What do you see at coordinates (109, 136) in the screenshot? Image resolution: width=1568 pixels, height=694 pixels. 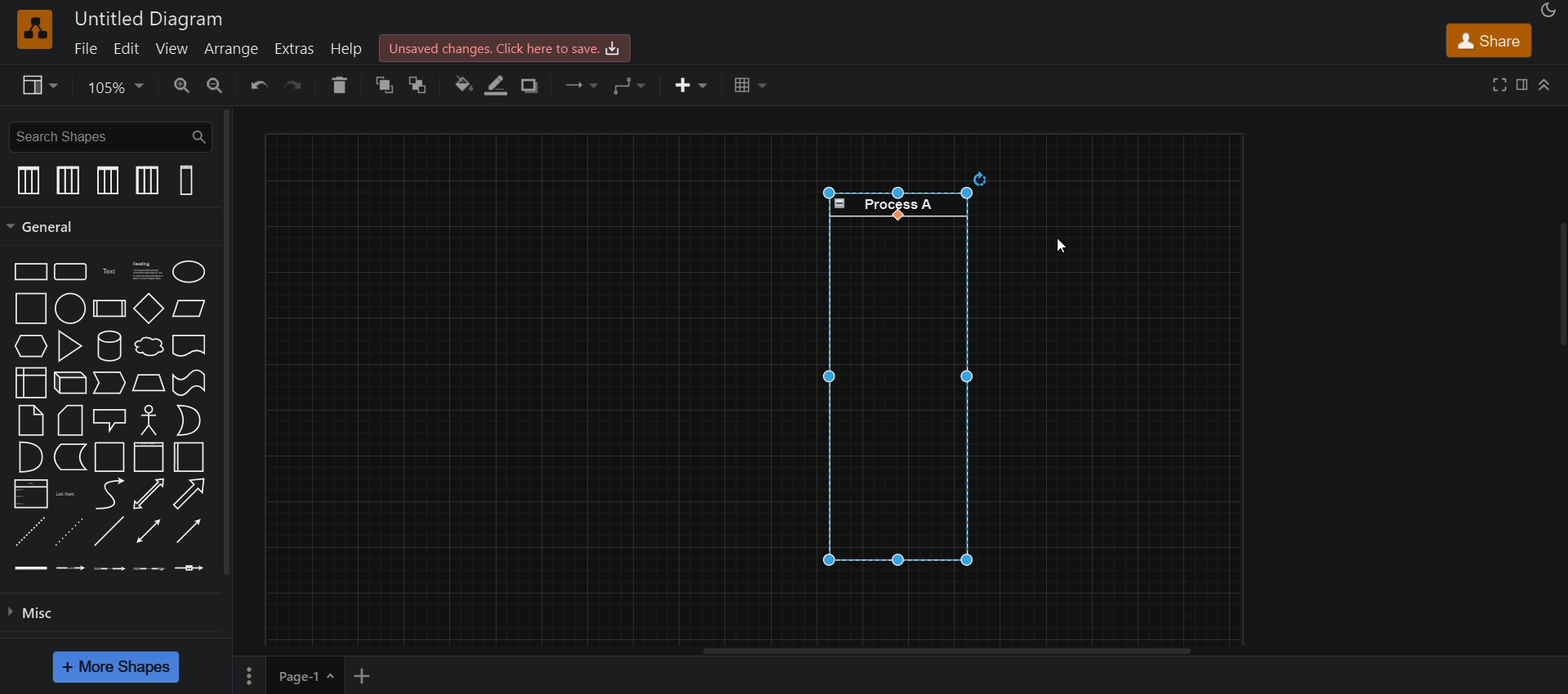 I see `search shapes` at bounding box center [109, 136].